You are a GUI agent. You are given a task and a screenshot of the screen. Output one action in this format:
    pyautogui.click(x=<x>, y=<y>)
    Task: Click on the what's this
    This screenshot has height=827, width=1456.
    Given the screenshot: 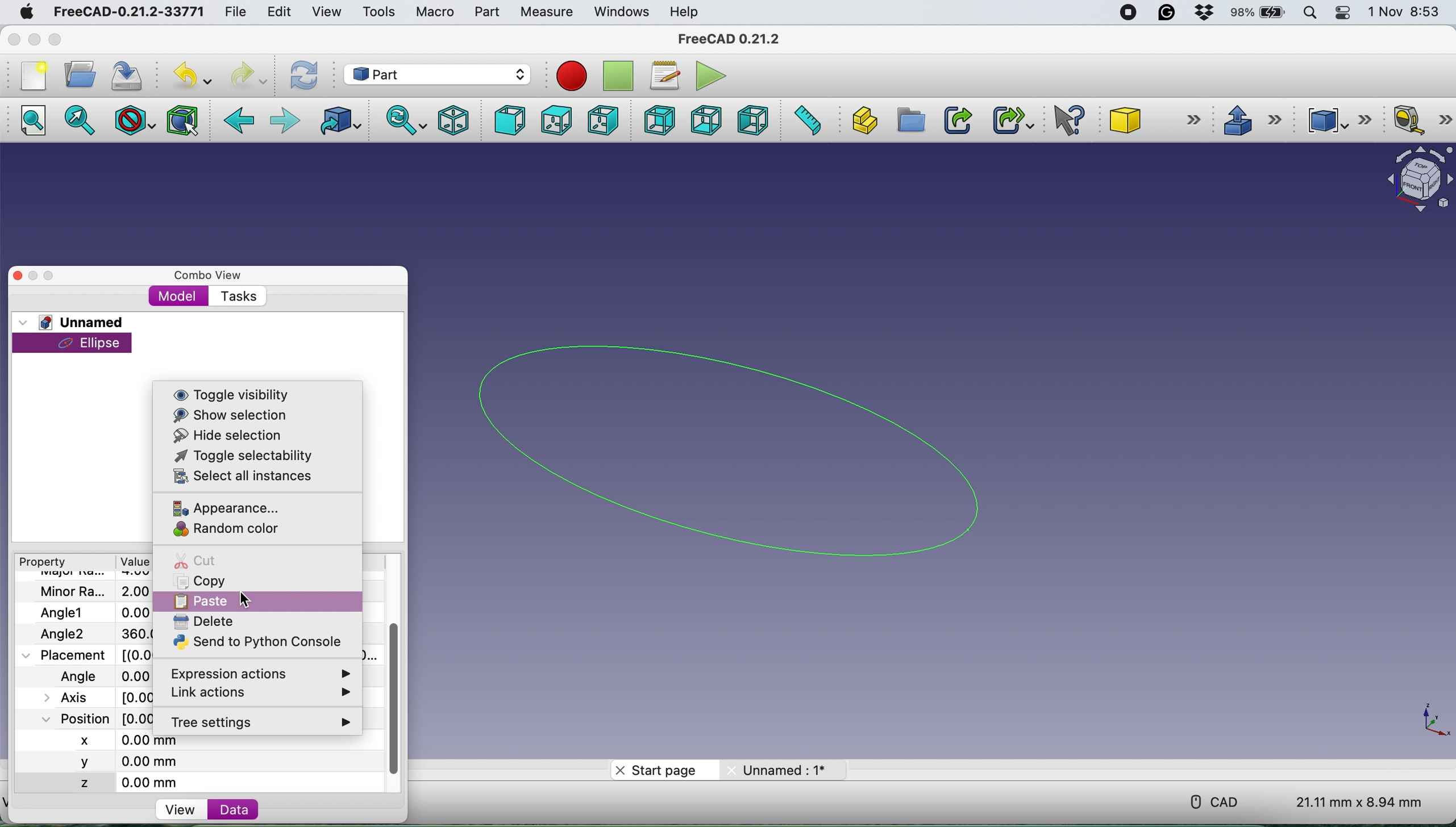 What is the action you would take?
    pyautogui.click(x=1072, y=121)
    